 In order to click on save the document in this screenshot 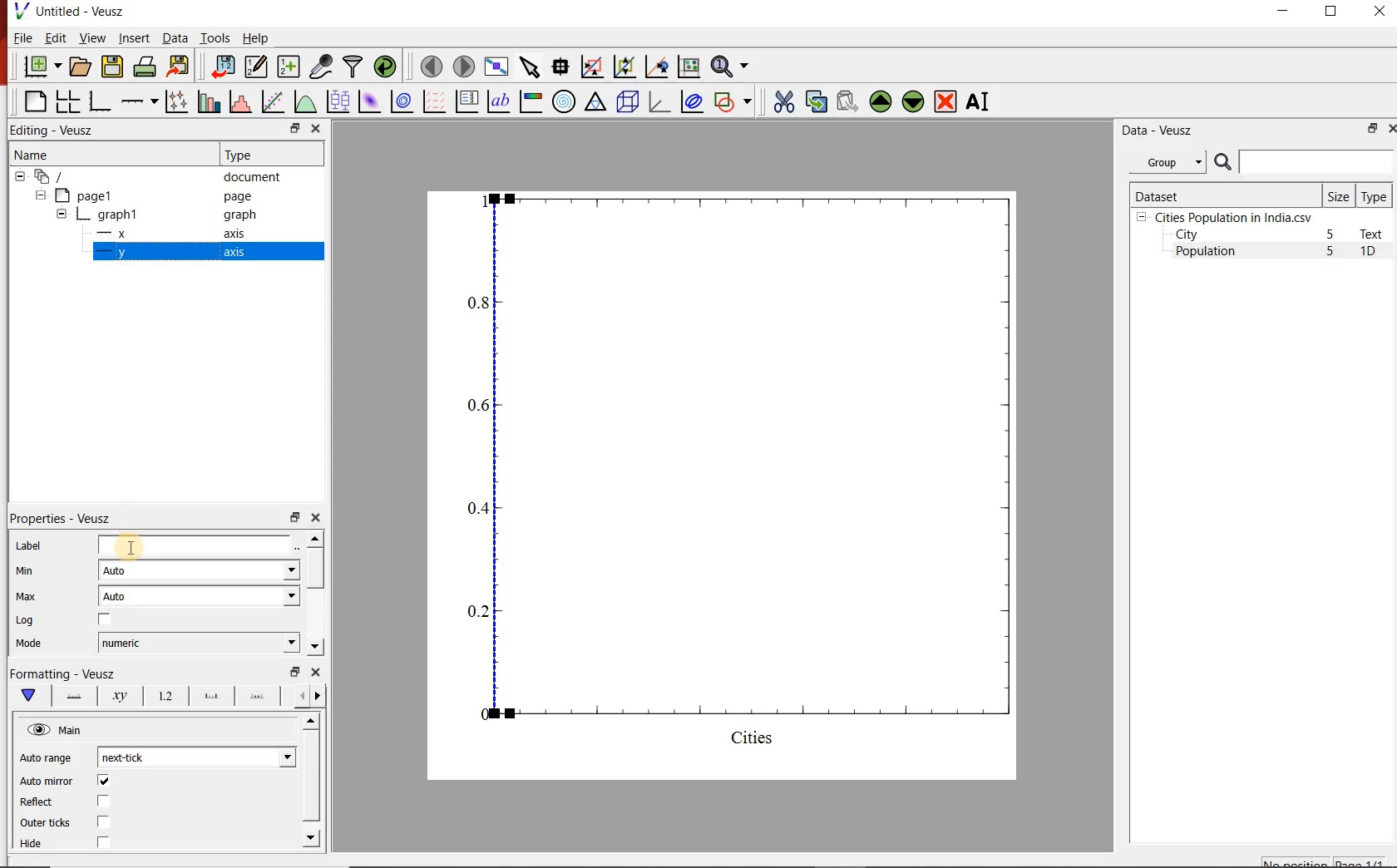, I will do `click(112, 65)`.